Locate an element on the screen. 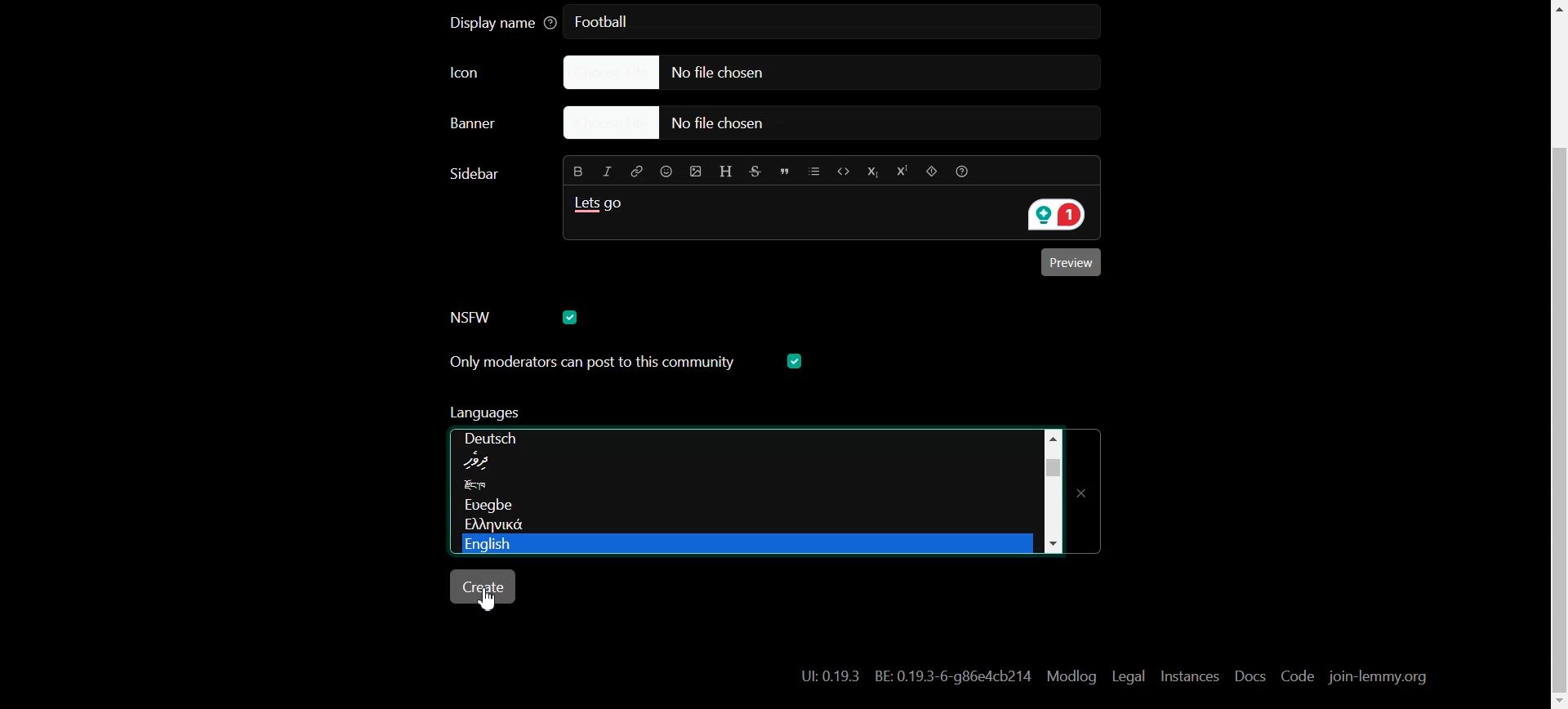  Create is located at coordinates (485, 586).